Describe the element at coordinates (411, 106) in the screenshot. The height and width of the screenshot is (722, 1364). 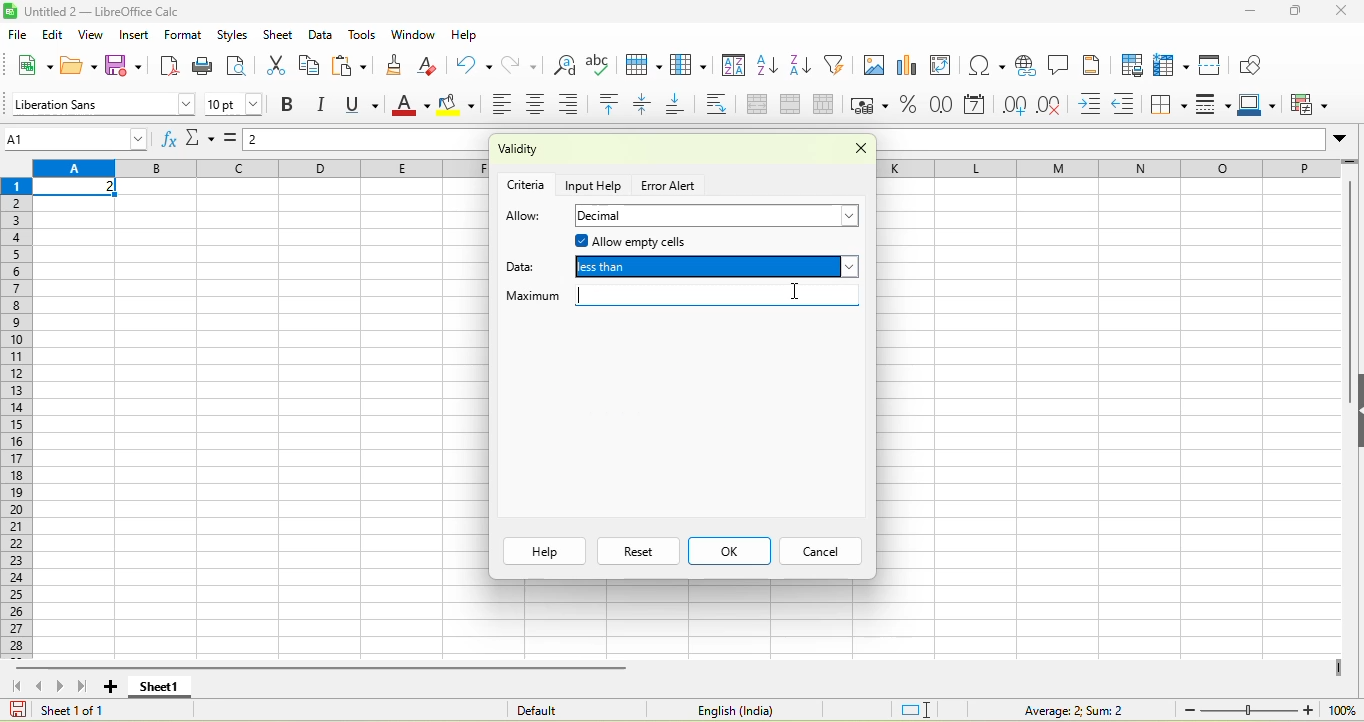
I see `font color` at that location.